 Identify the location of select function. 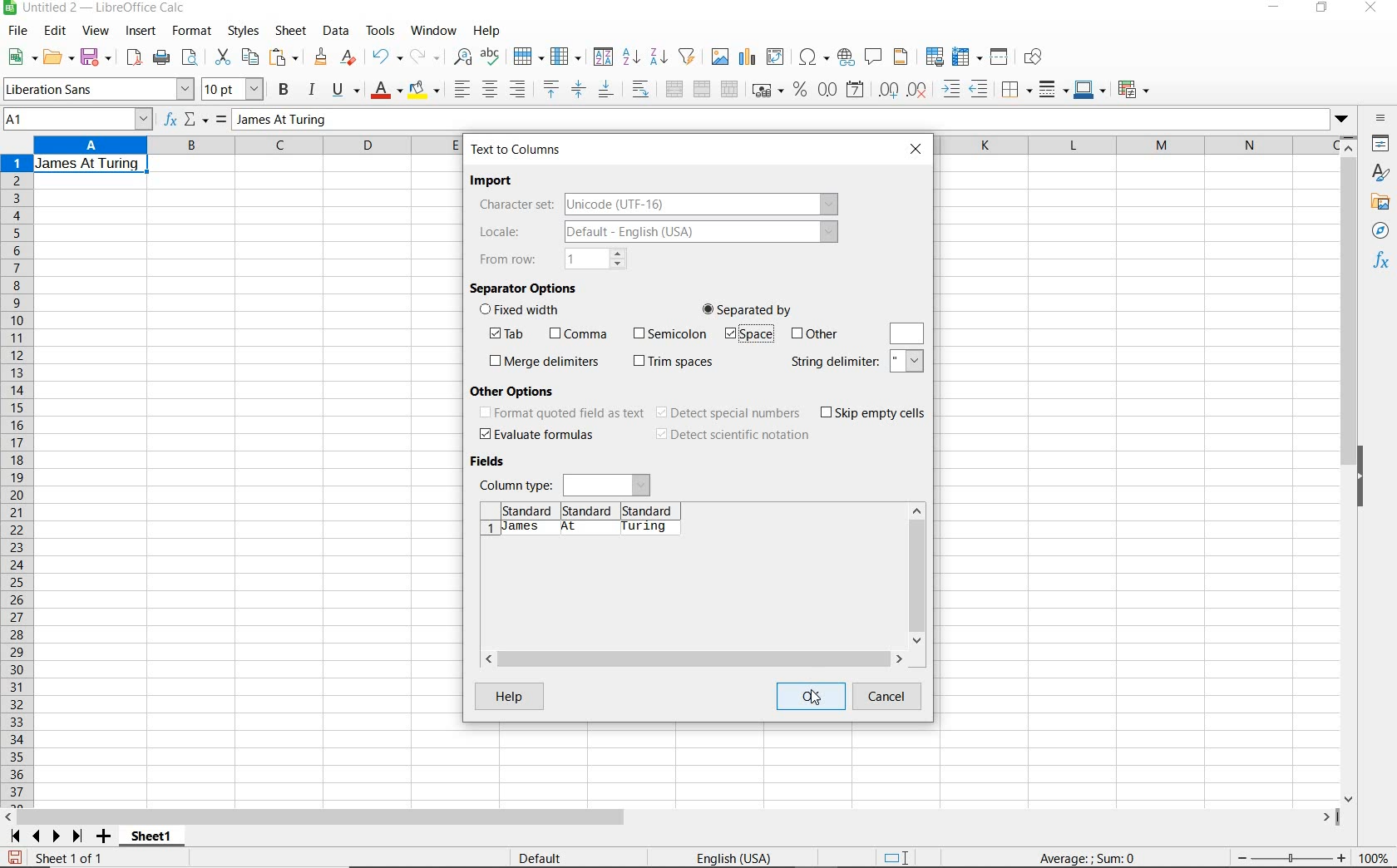
(197, 121).